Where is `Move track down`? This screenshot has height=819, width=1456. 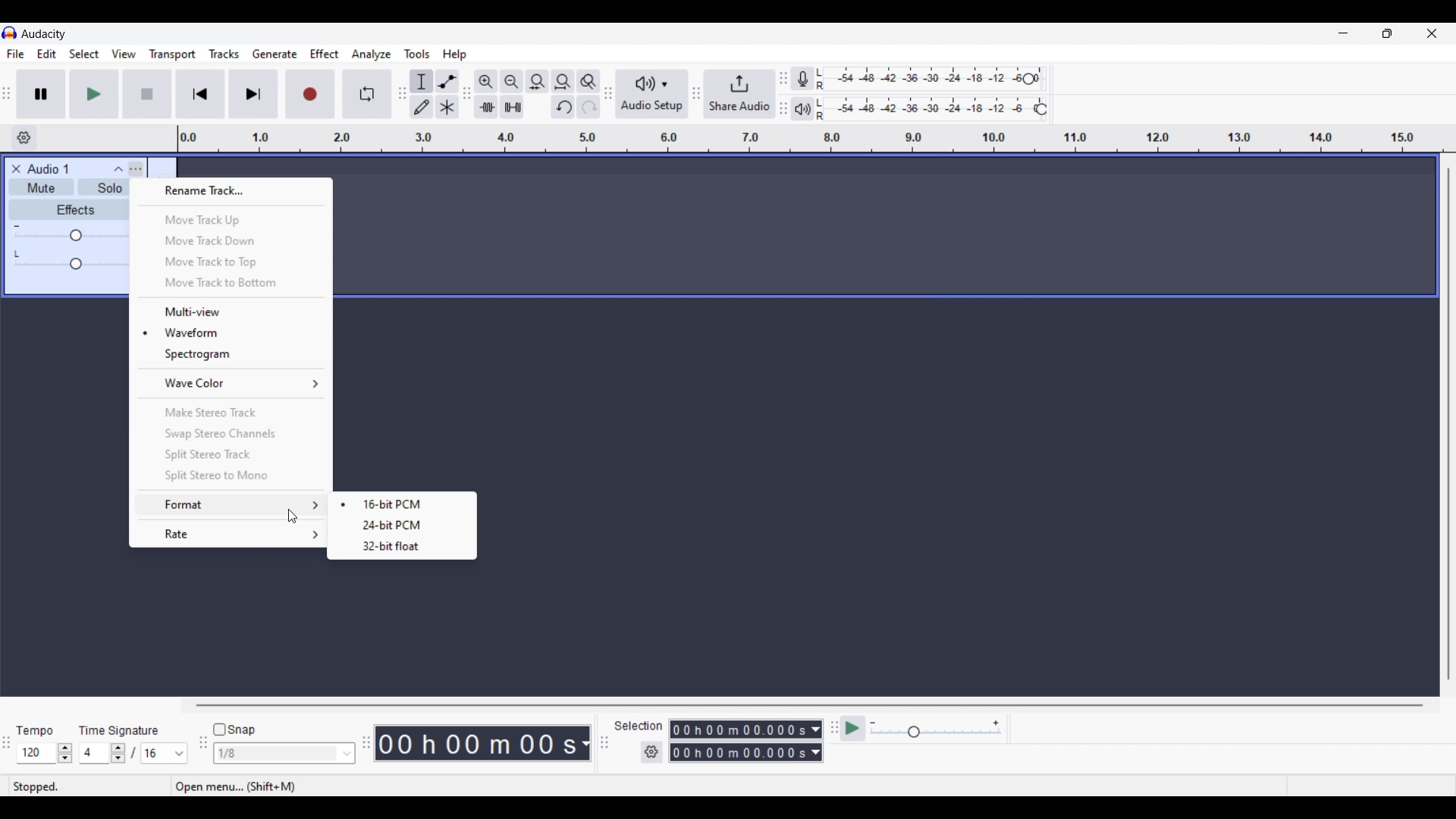
Move track down is located at coordinates (231, 240).